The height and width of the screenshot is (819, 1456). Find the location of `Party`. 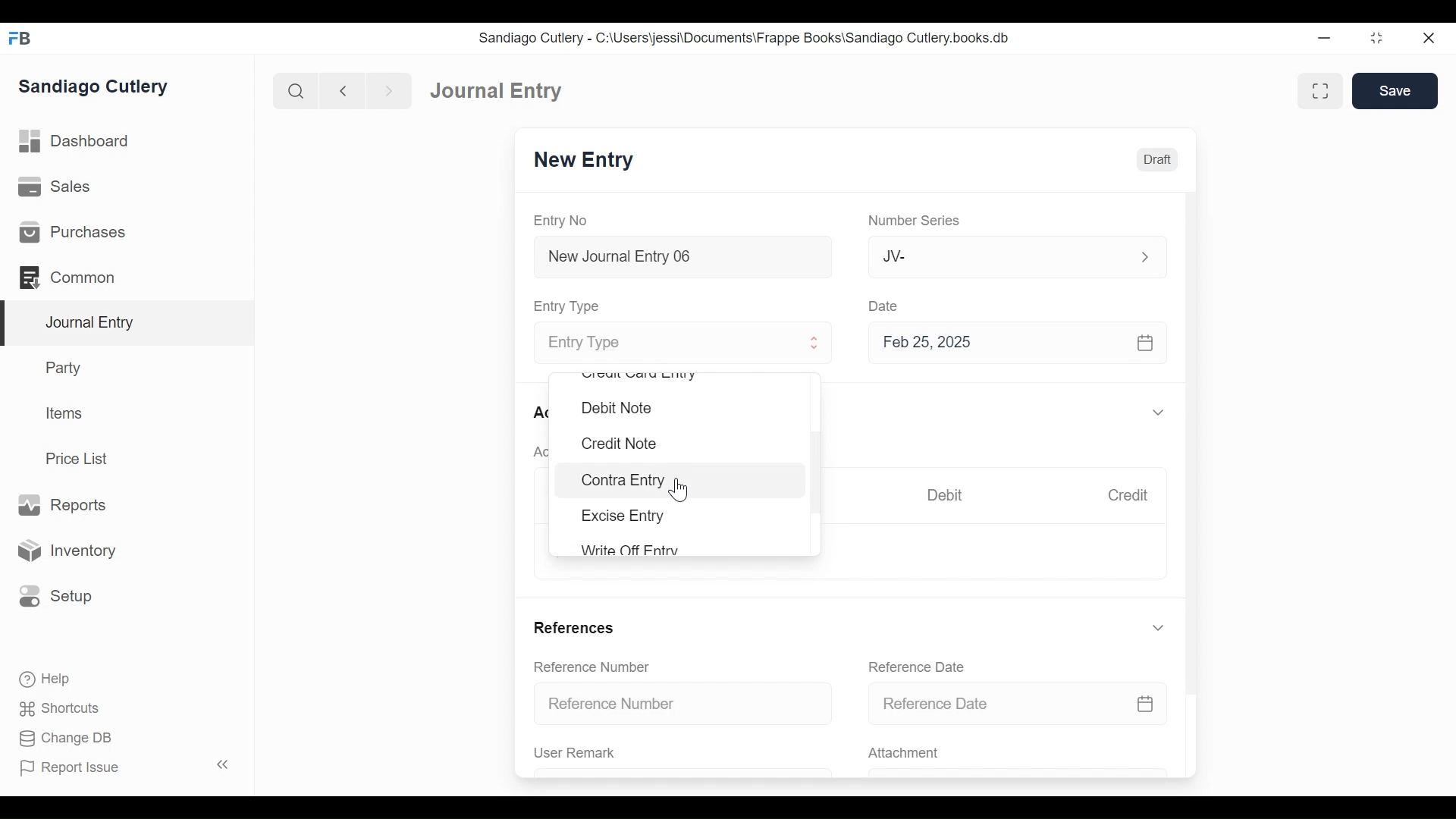

Party is located at coordinates (67, 367).